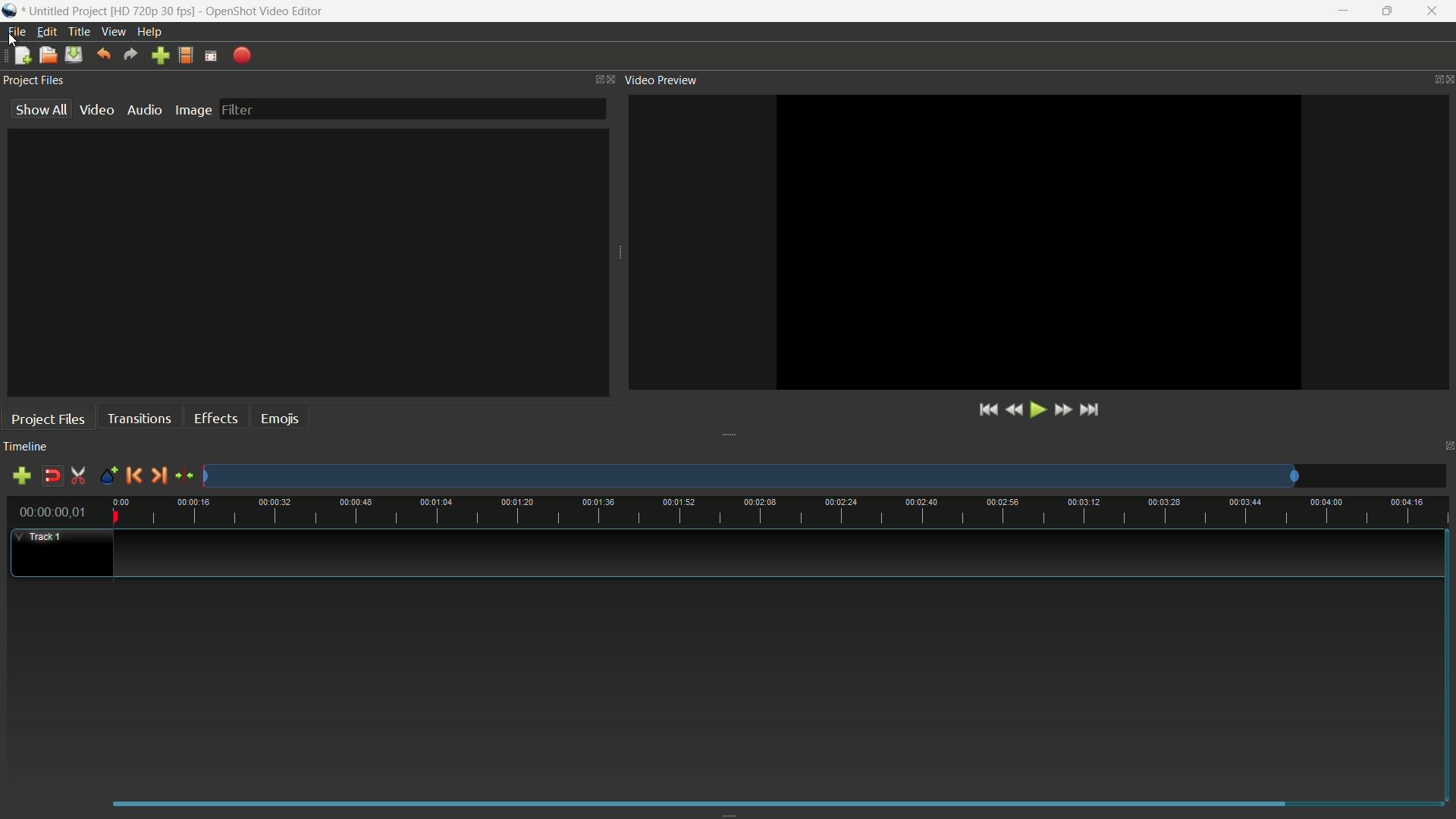 The width and height of the screenshot is (1456, 819). I want to click on edit menu, so click(45, 33).